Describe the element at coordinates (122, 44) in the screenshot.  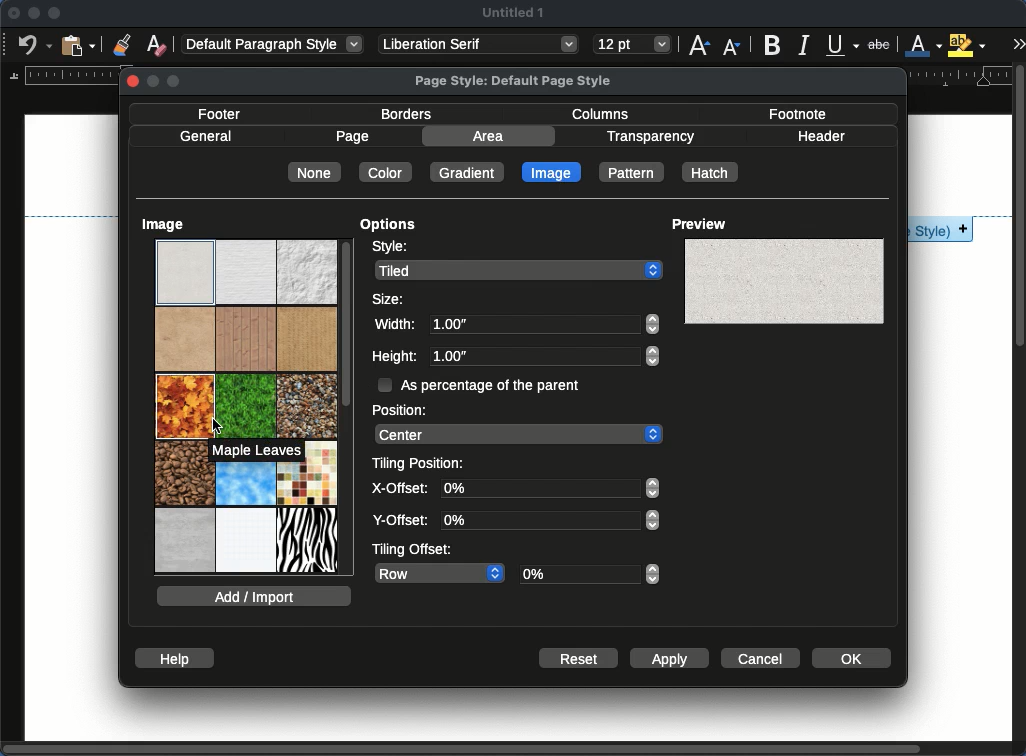
I see `clone formatting` at that location.